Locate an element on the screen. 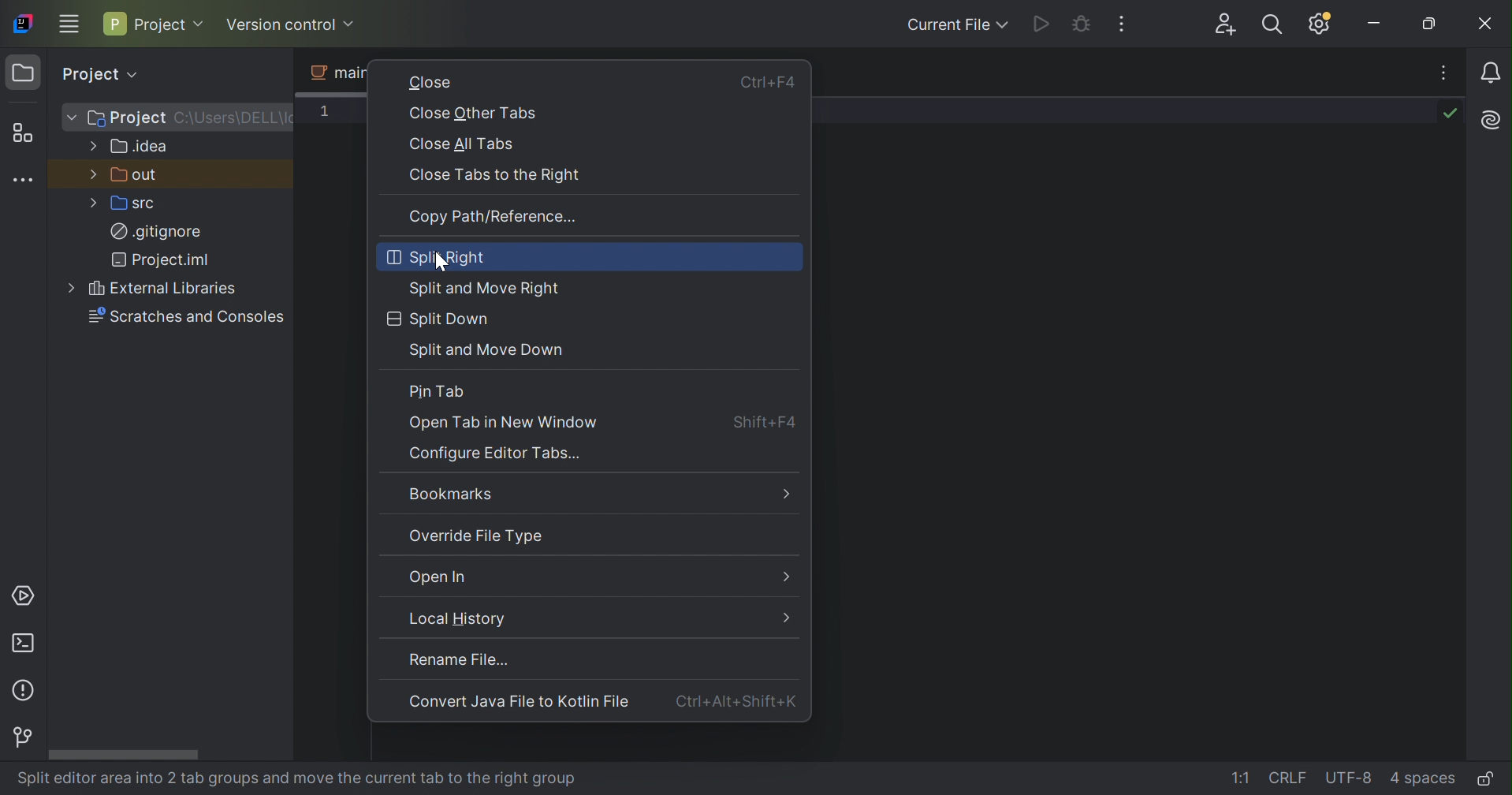 This screenshot has width=1512, height=795. main2.java is located at coordinates (352, 73).